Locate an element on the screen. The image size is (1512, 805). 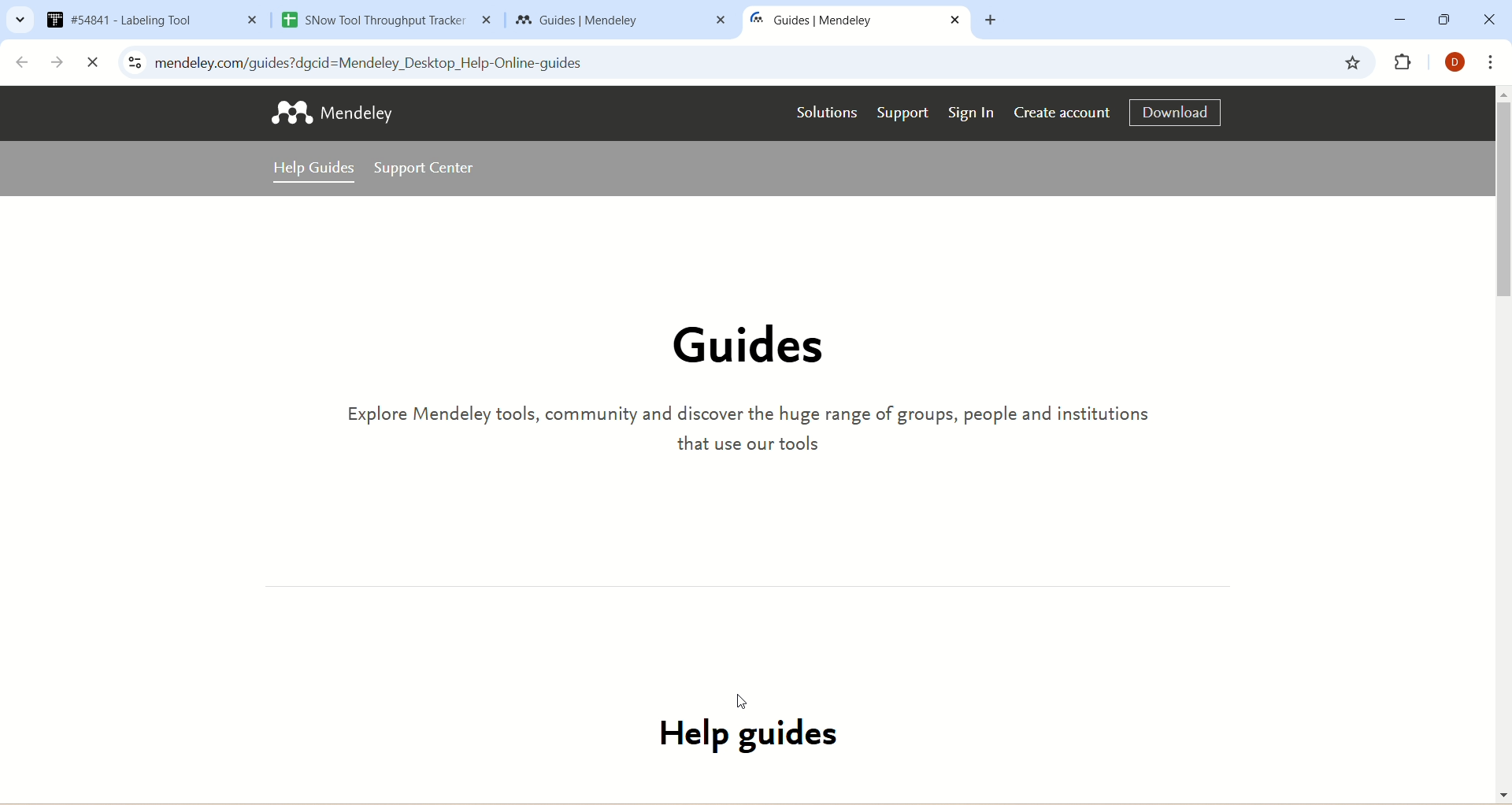
minimize is located at coordinates (1395, 22).